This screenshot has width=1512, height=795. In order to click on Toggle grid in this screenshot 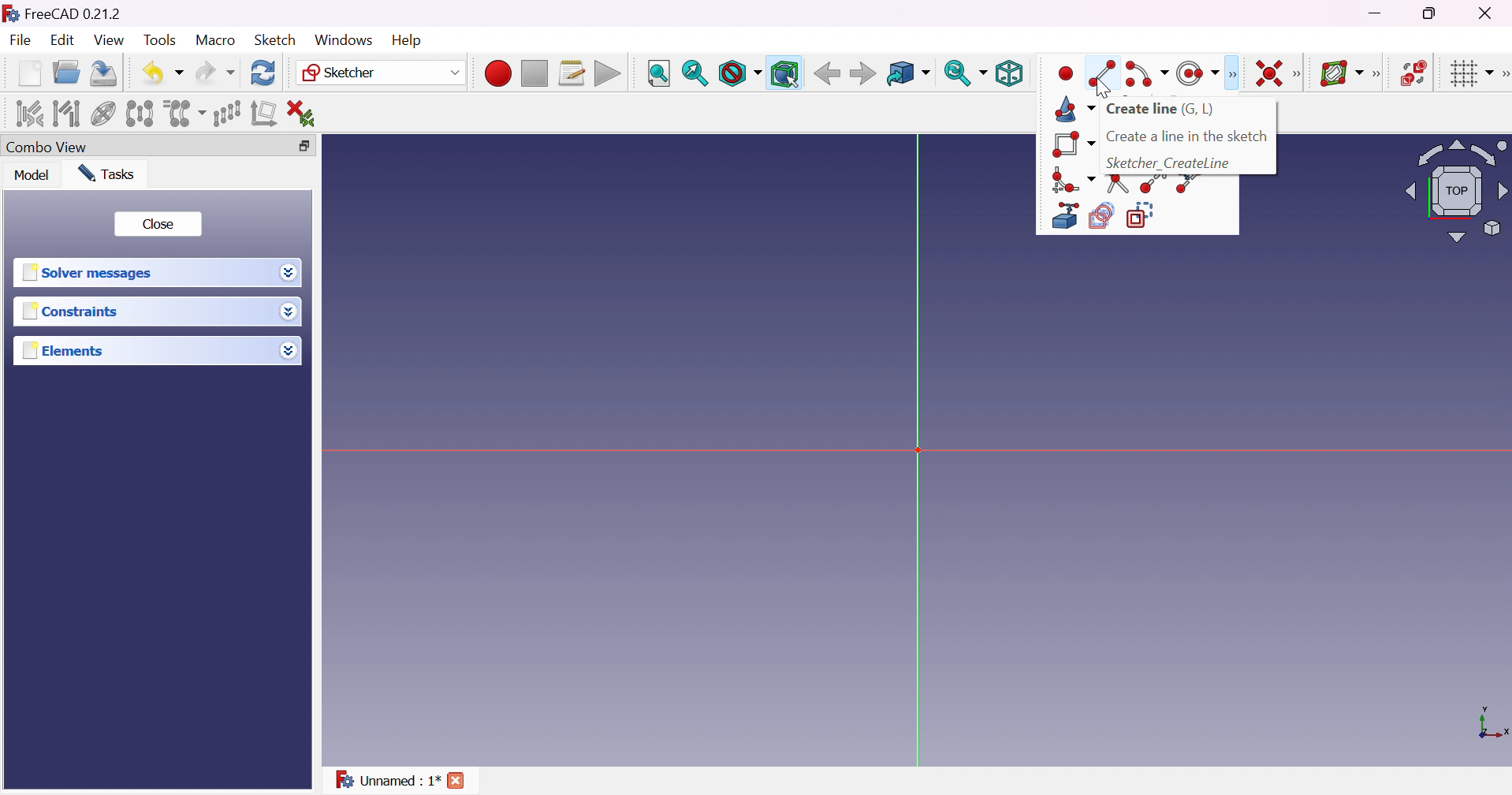, I will do `click(1470, 75)`.